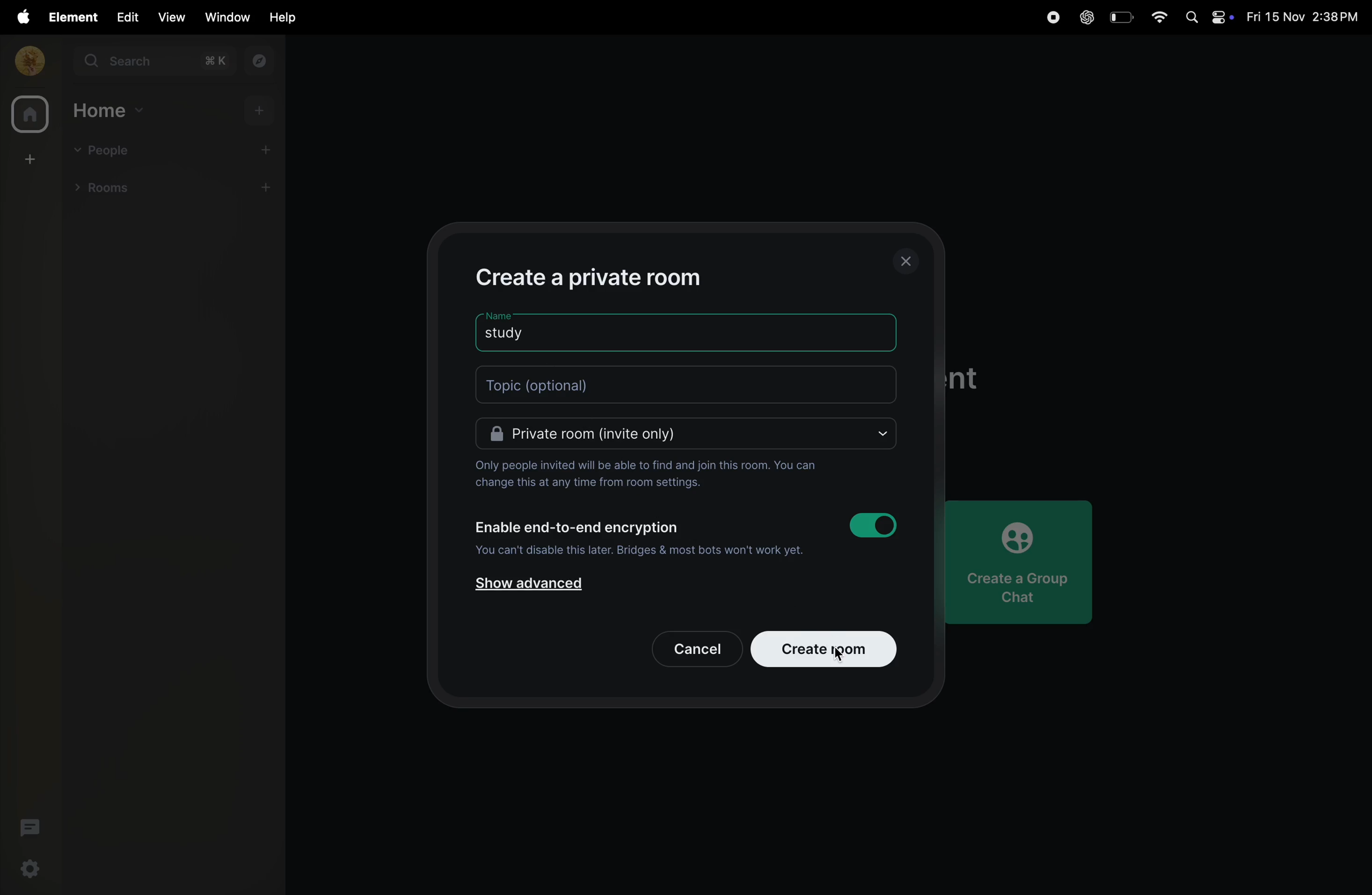  Describe the element at coordinates (1048, 18) in the screenshot. I see `record` at that location.